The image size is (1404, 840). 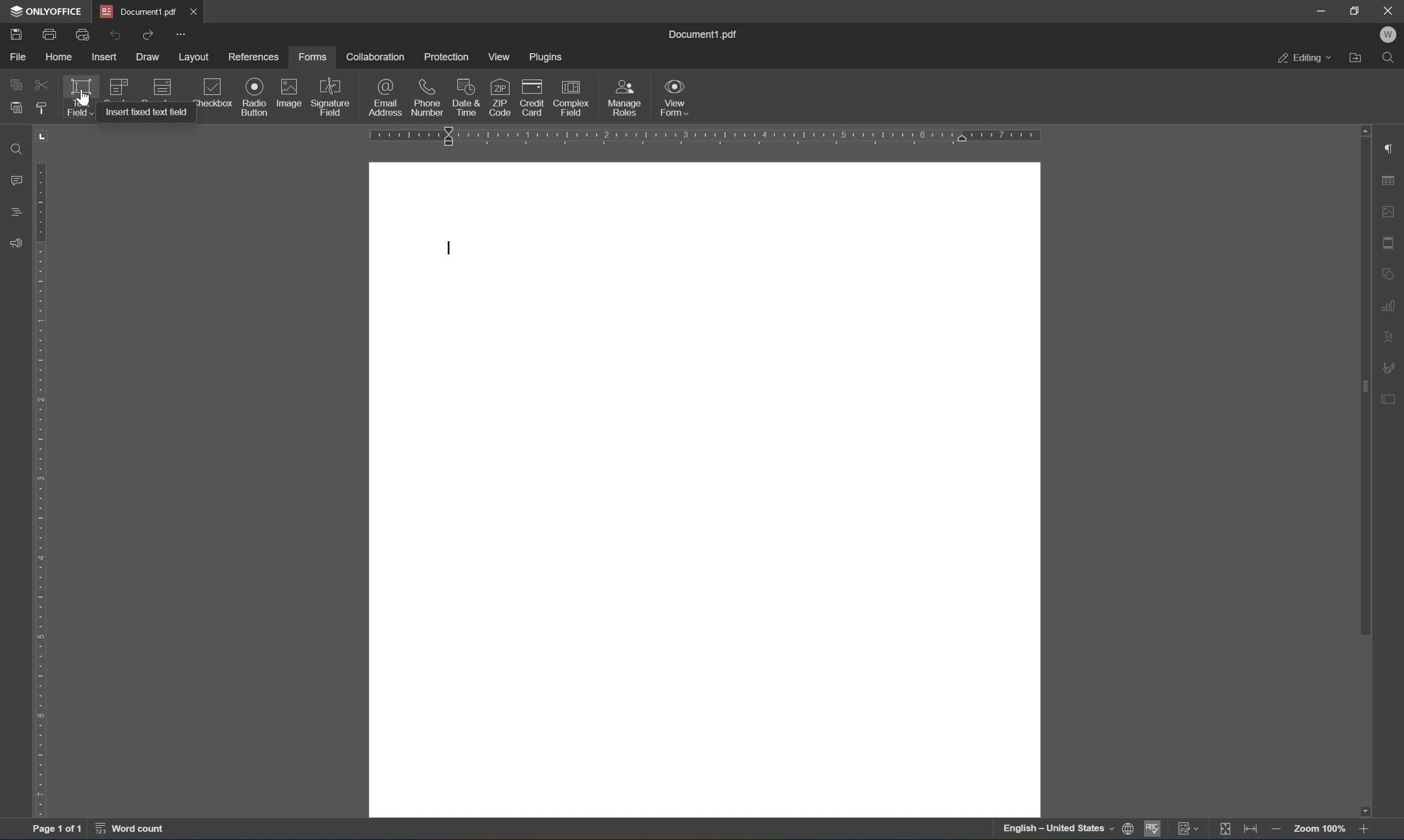 What do you see at coordinates (386, 97) in the screenshot?
I see `email address` at bounding box center [386, 97].